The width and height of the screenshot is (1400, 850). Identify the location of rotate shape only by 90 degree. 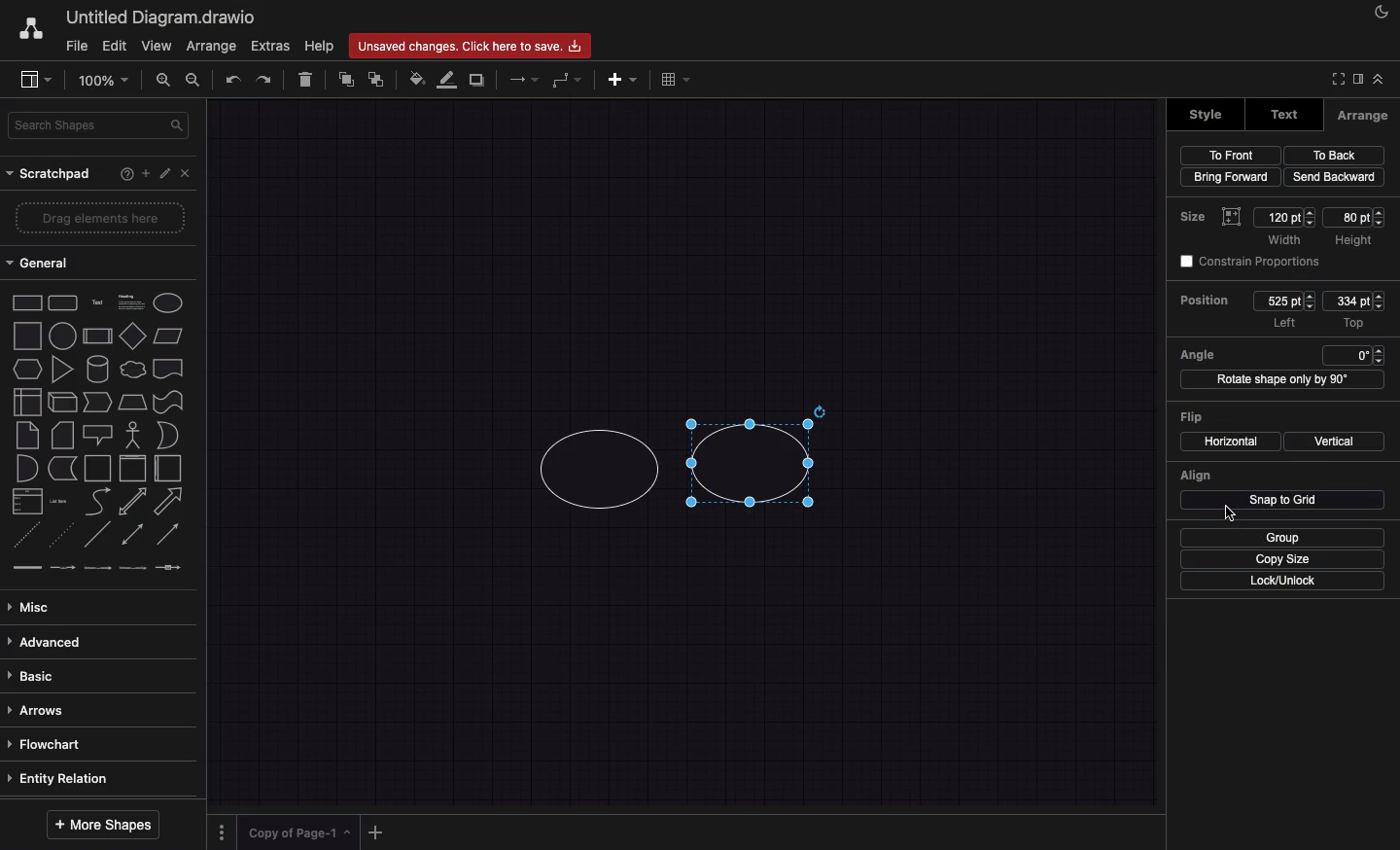
(1280, 379).